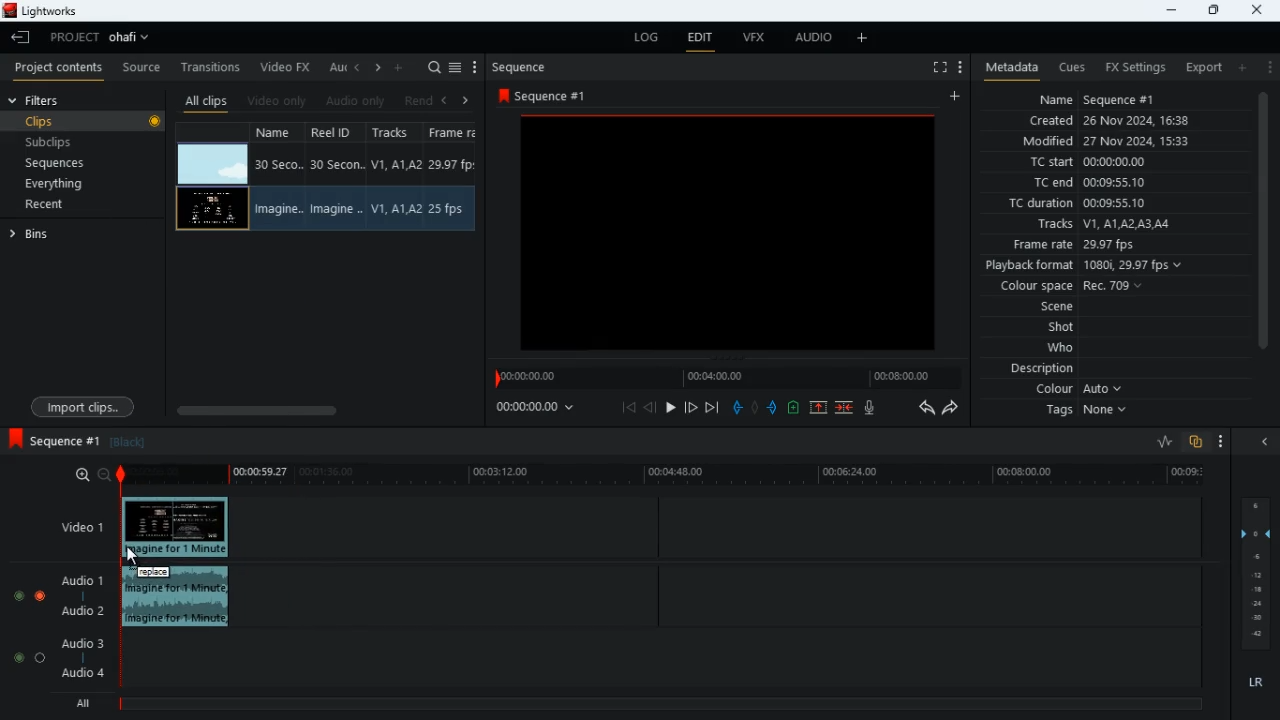 The width and height of the screenshot is (1280, 720). Describe the element at coordinates (179, 598) in the screenshot. I see `` at that location.